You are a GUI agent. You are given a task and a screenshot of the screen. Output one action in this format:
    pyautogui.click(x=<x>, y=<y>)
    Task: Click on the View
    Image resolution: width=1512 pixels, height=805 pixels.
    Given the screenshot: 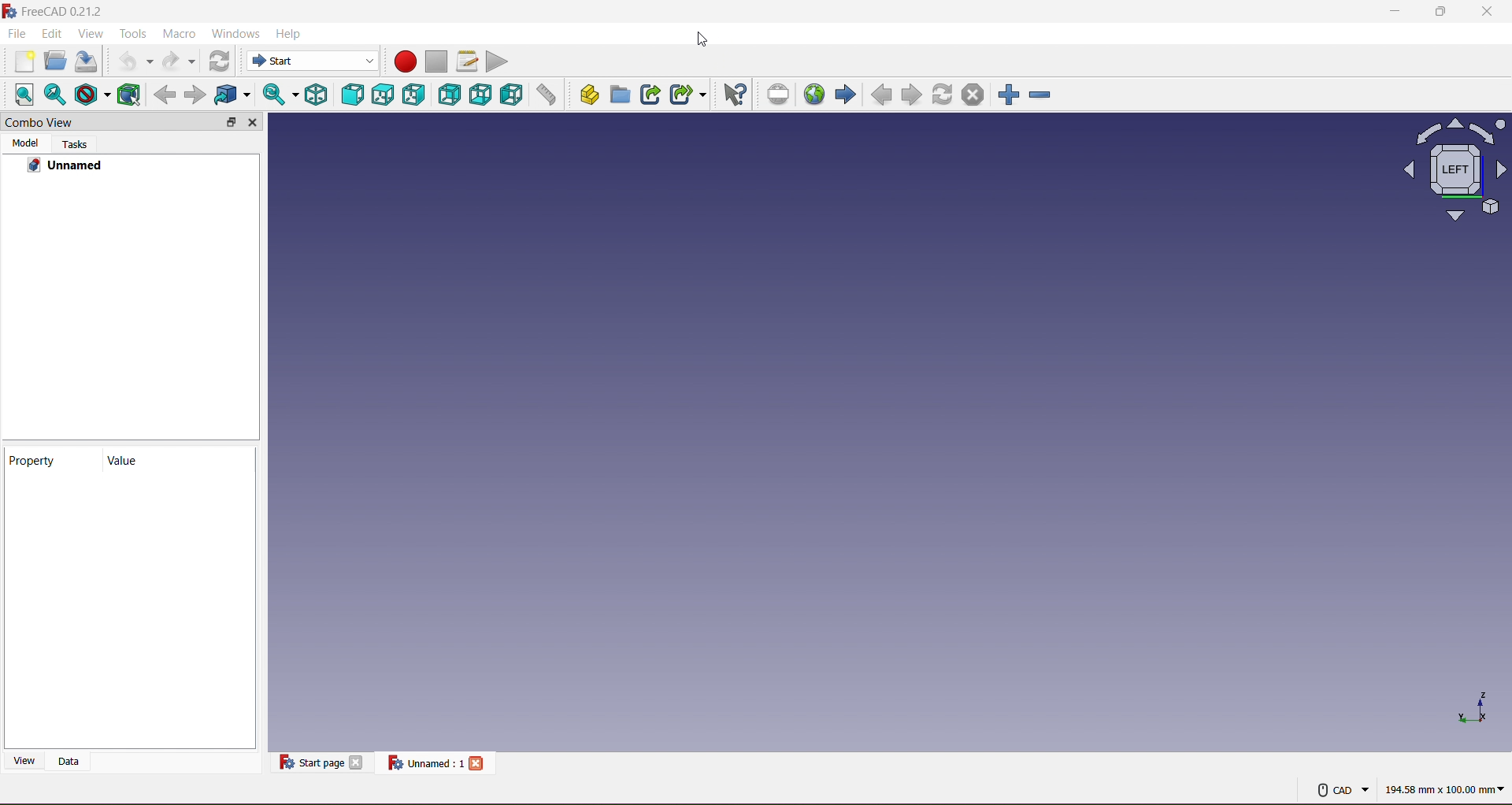 What is the action you would take?
    pyautogui.click(x=90, y=33)
    